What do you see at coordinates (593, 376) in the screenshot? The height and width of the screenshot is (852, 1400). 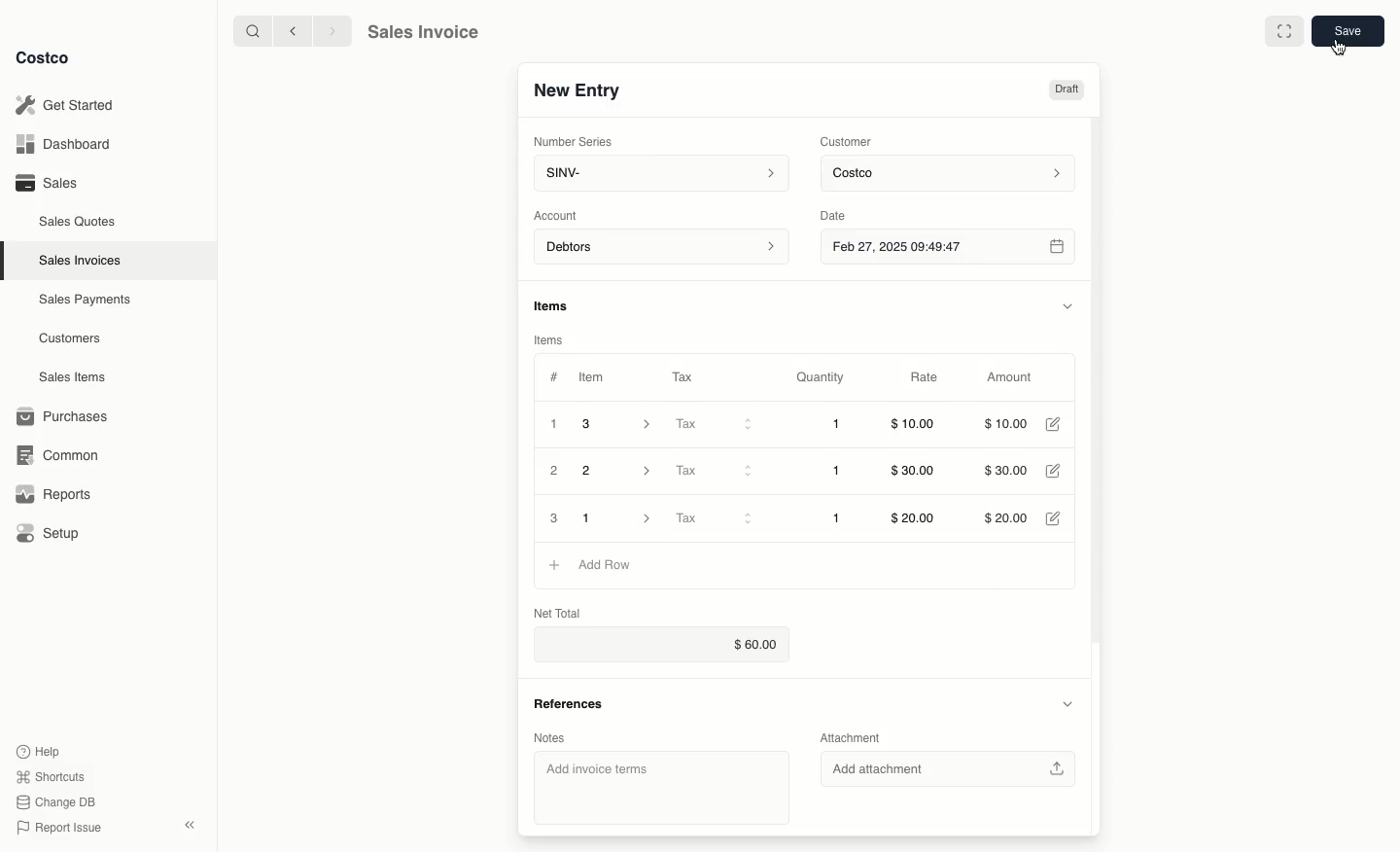 I see `Item` at bounding box center [593, 376].